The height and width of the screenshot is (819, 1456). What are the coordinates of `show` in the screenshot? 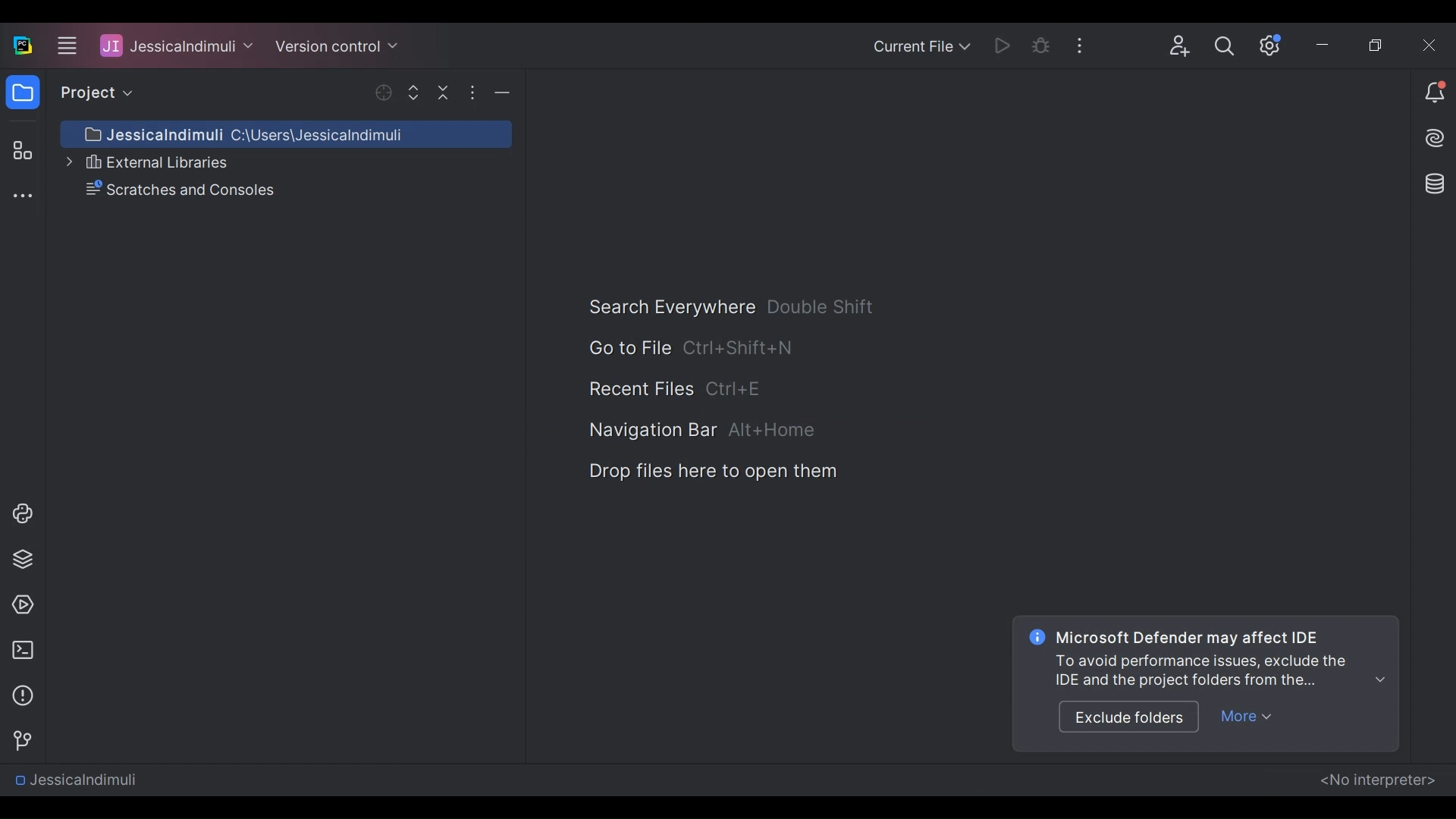 It's located at (1382, 677).